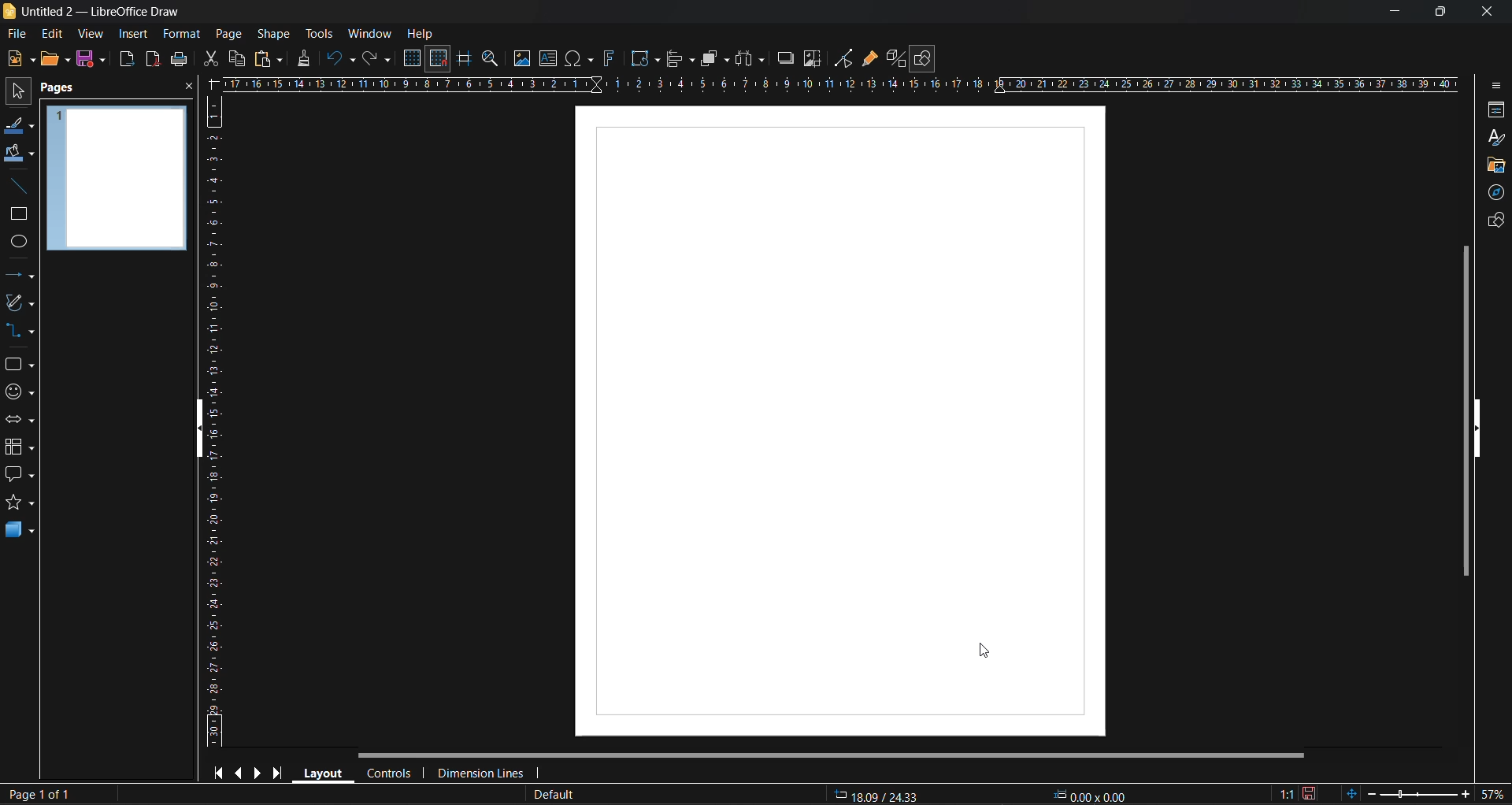 The height and width of the screenshot is (805, 1512). Describe the element at coordinates (1493, 165) in the screenshot. I see `gallery` at that location.